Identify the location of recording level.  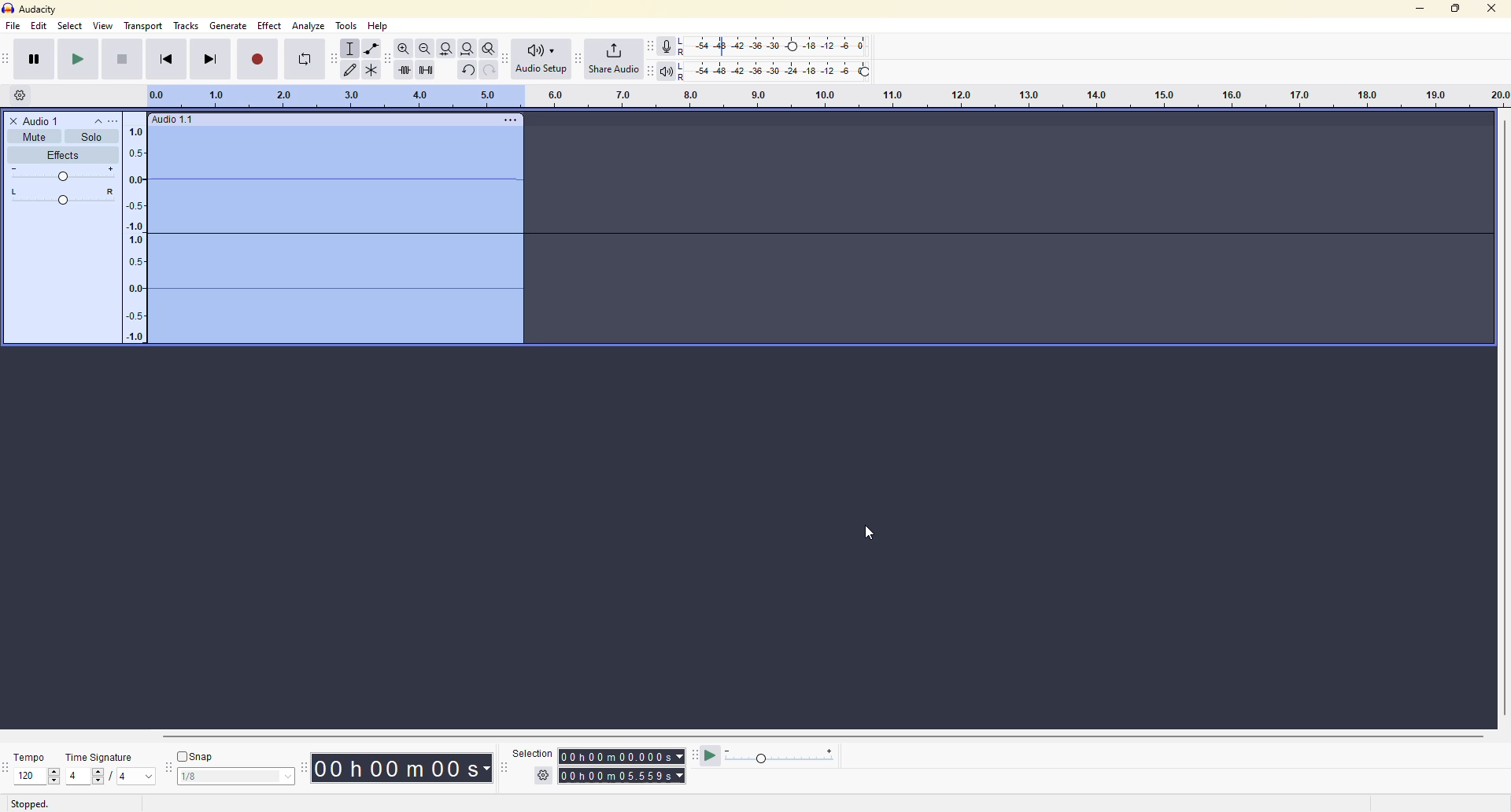
(774, 46).